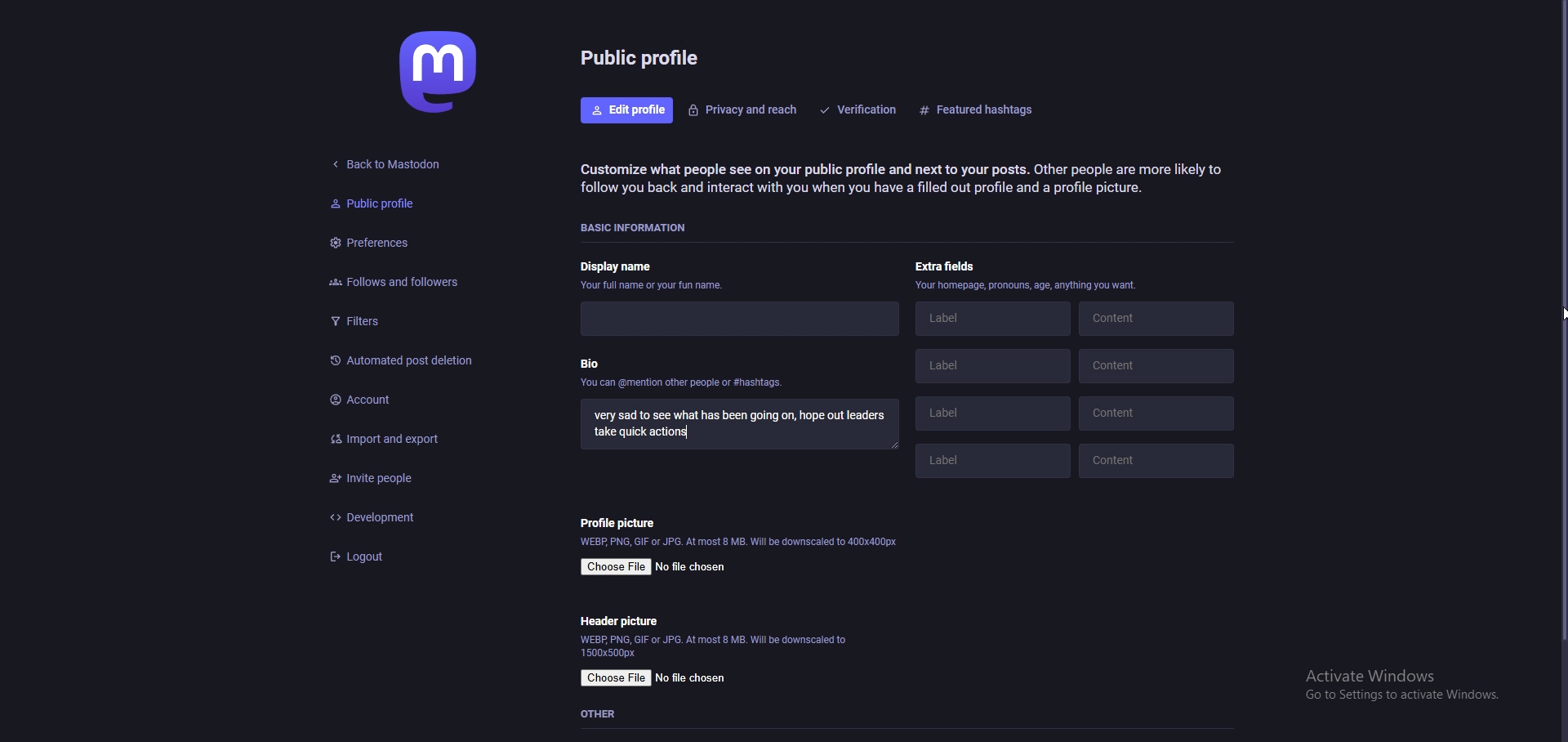  What do you see at coordinates (743, 109) in the screenshot?
I see `privacy and reach` at bounding box center [743, 109].